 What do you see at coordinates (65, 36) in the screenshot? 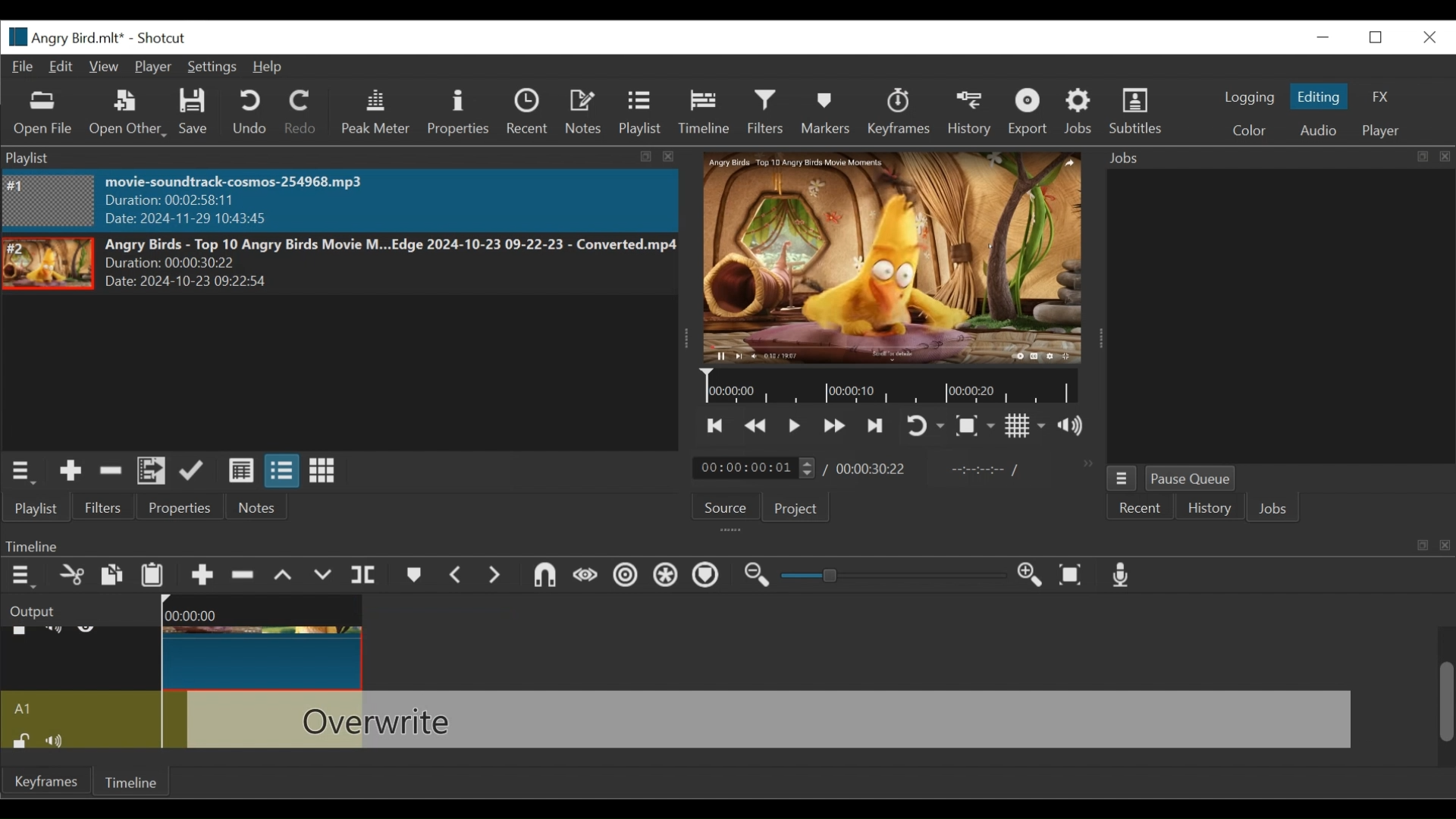
I see `File Name` at bounding box center [65, 36].